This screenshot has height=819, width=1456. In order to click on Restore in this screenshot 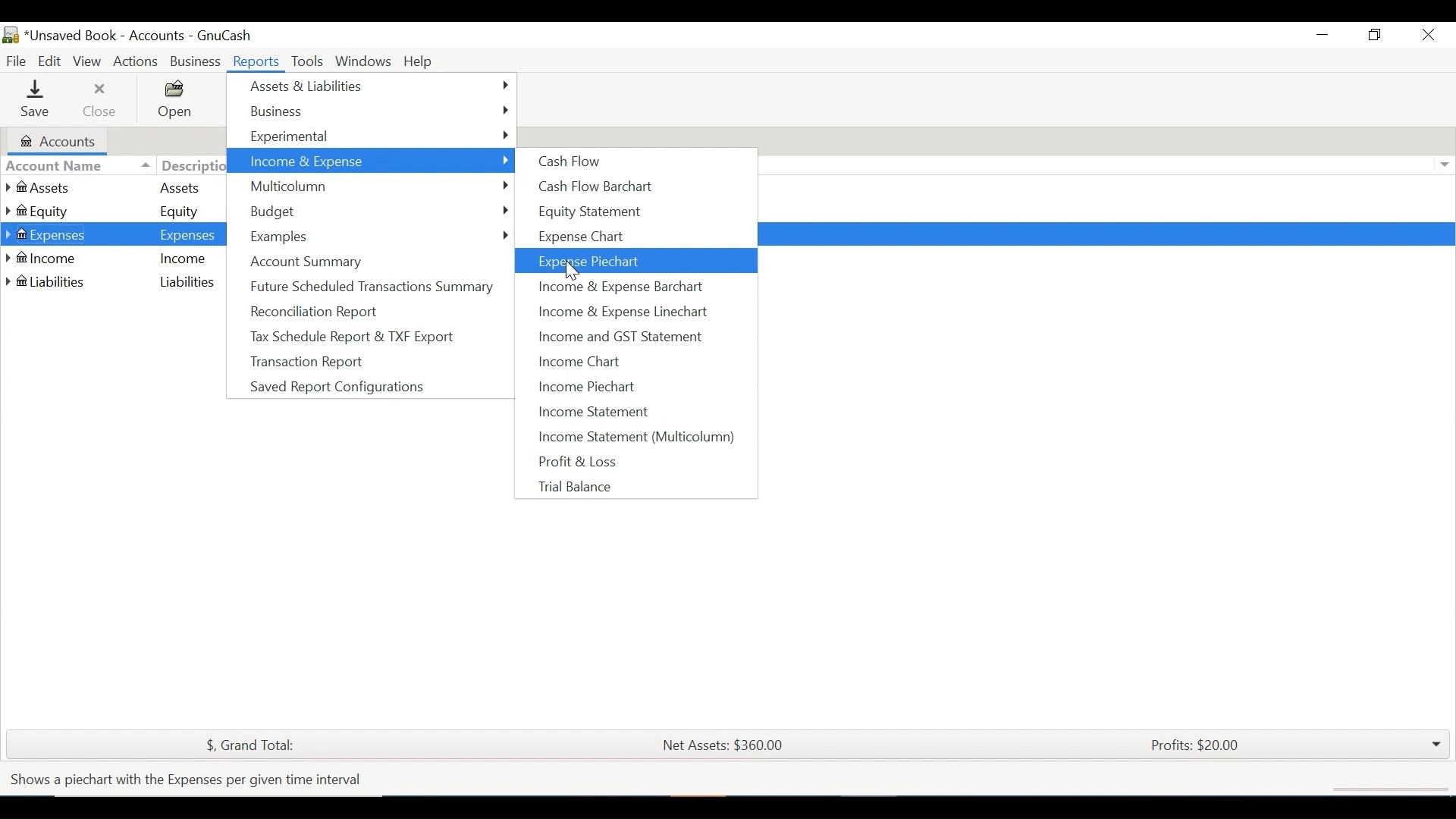, I will do `click(1372, 36)`.